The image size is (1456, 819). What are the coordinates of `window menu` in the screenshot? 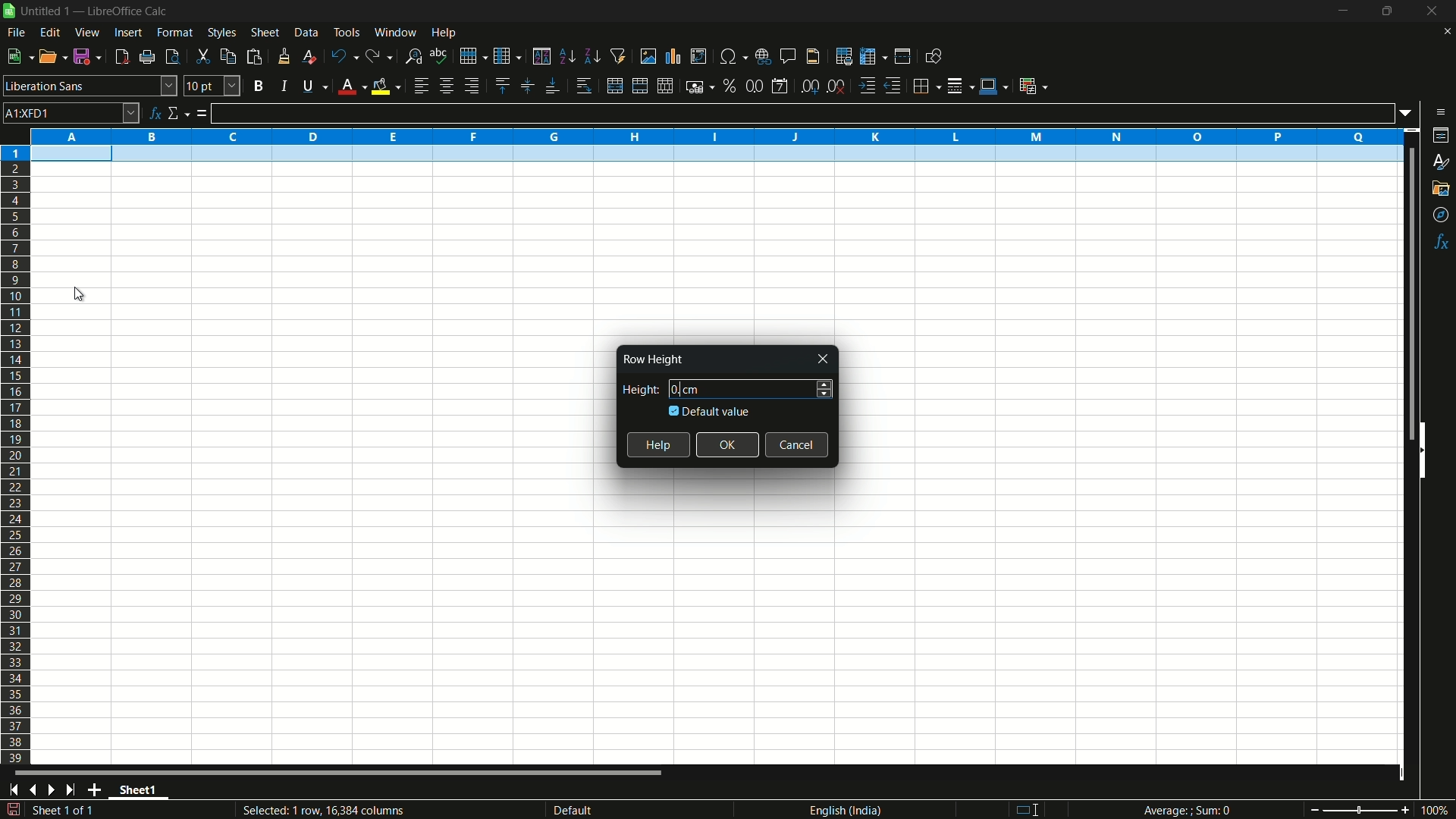 It's located at (395, 32).